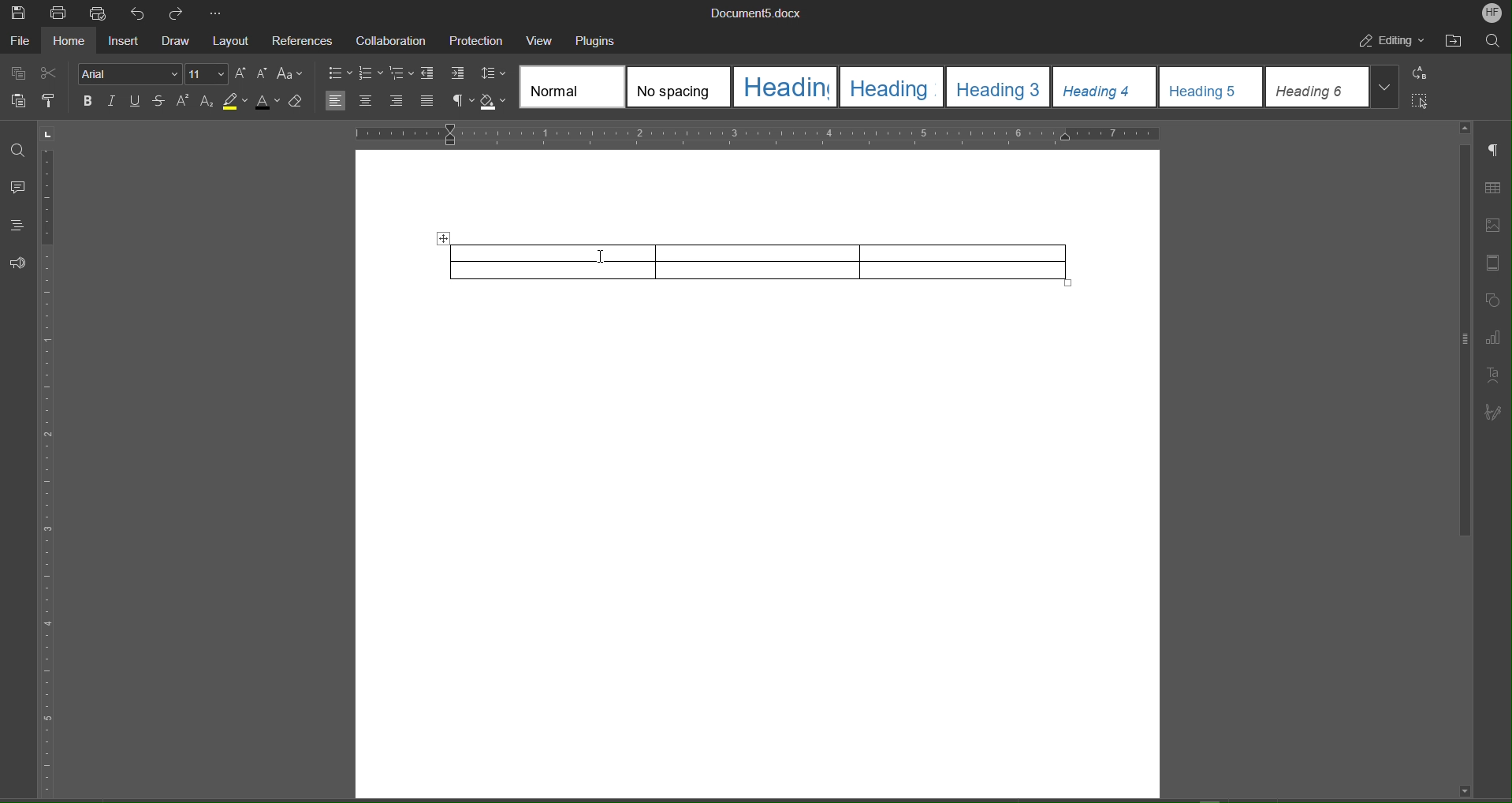 The image size is (1512, 803). What do you see at coordinates (462, 102) in the screenshot?
I see `Nonprinting characters` at bounding box center [462, 102].